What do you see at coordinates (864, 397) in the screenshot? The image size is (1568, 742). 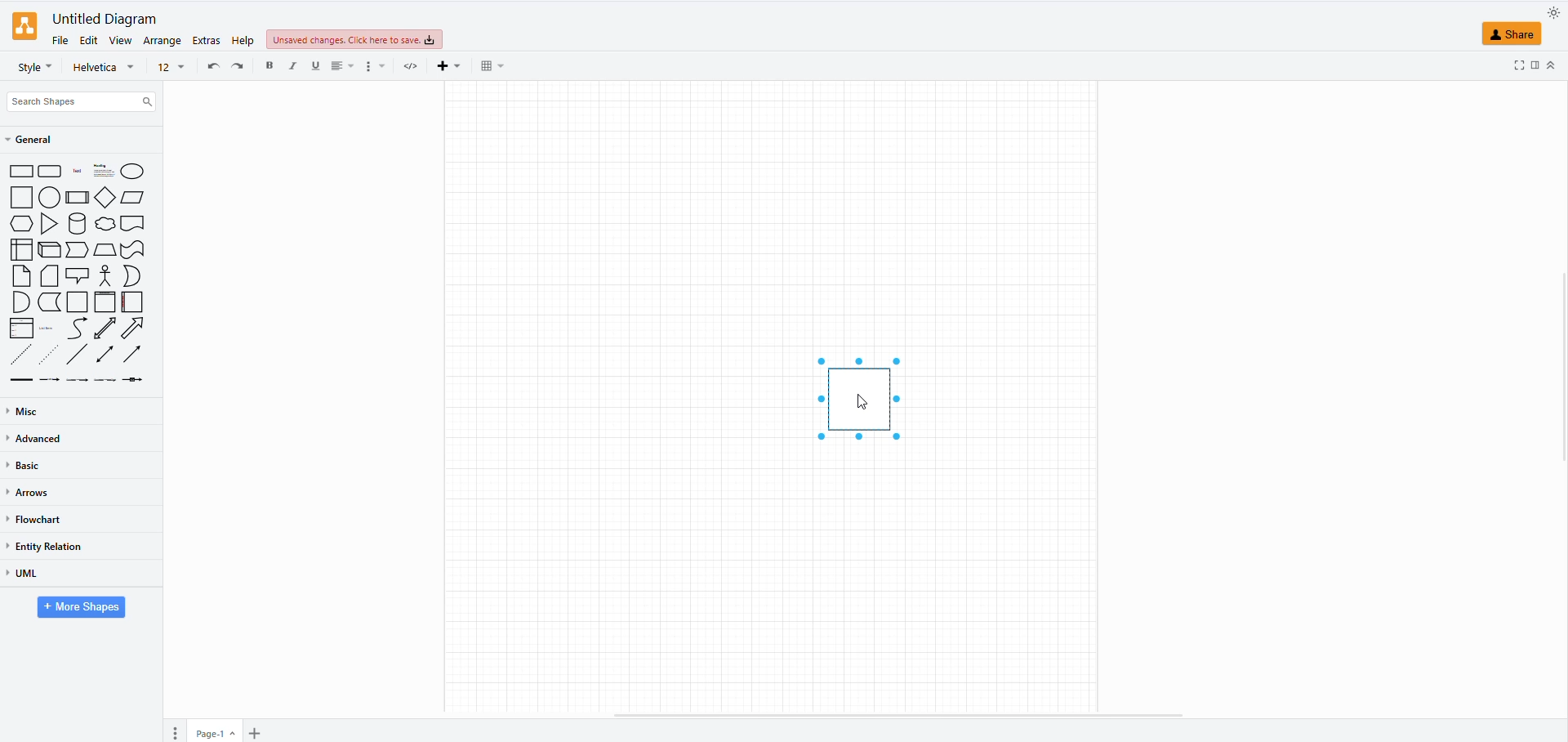 I see `square` at bounding box center [864, 397].